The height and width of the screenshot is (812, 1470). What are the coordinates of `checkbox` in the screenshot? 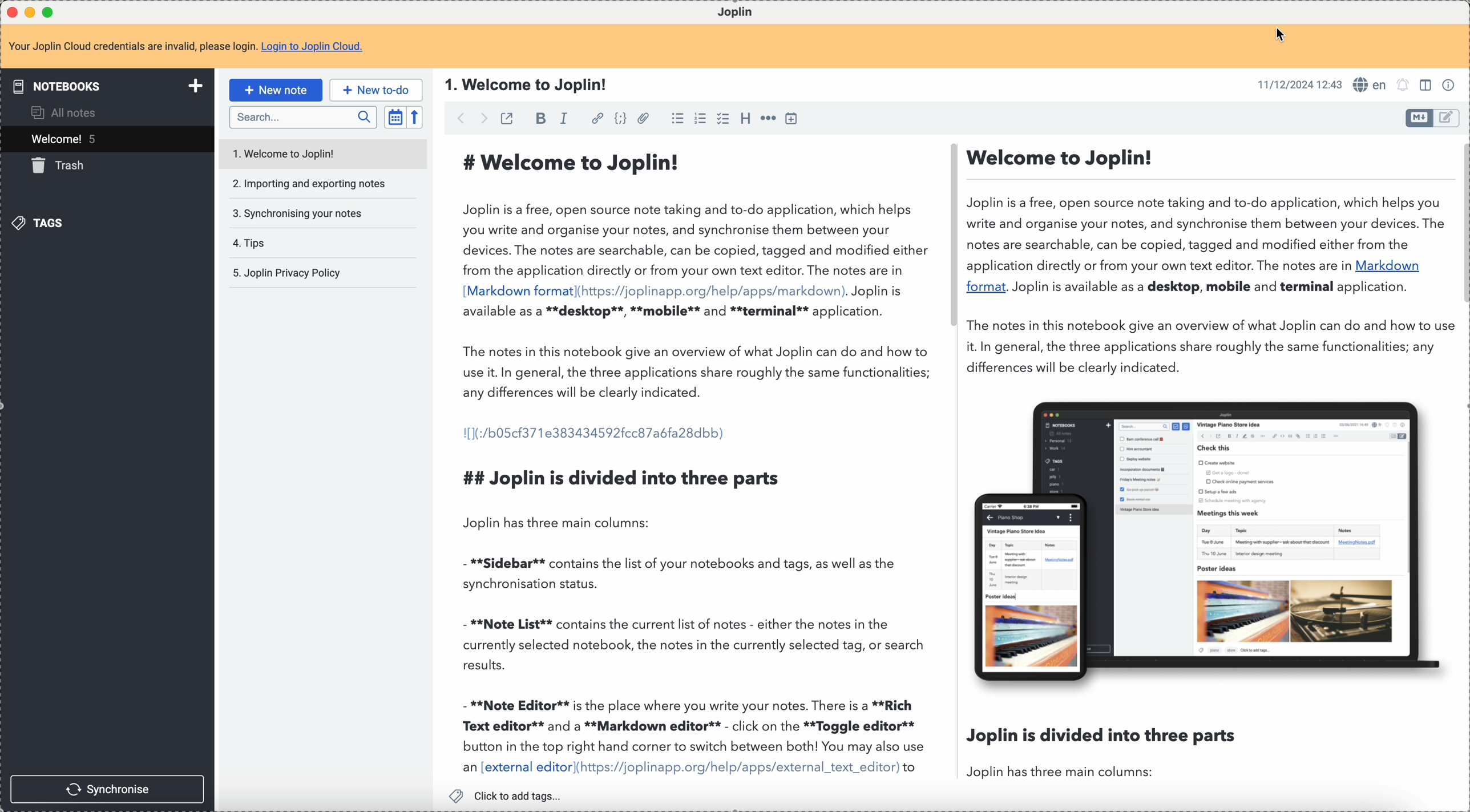 It's located at (725, 118).